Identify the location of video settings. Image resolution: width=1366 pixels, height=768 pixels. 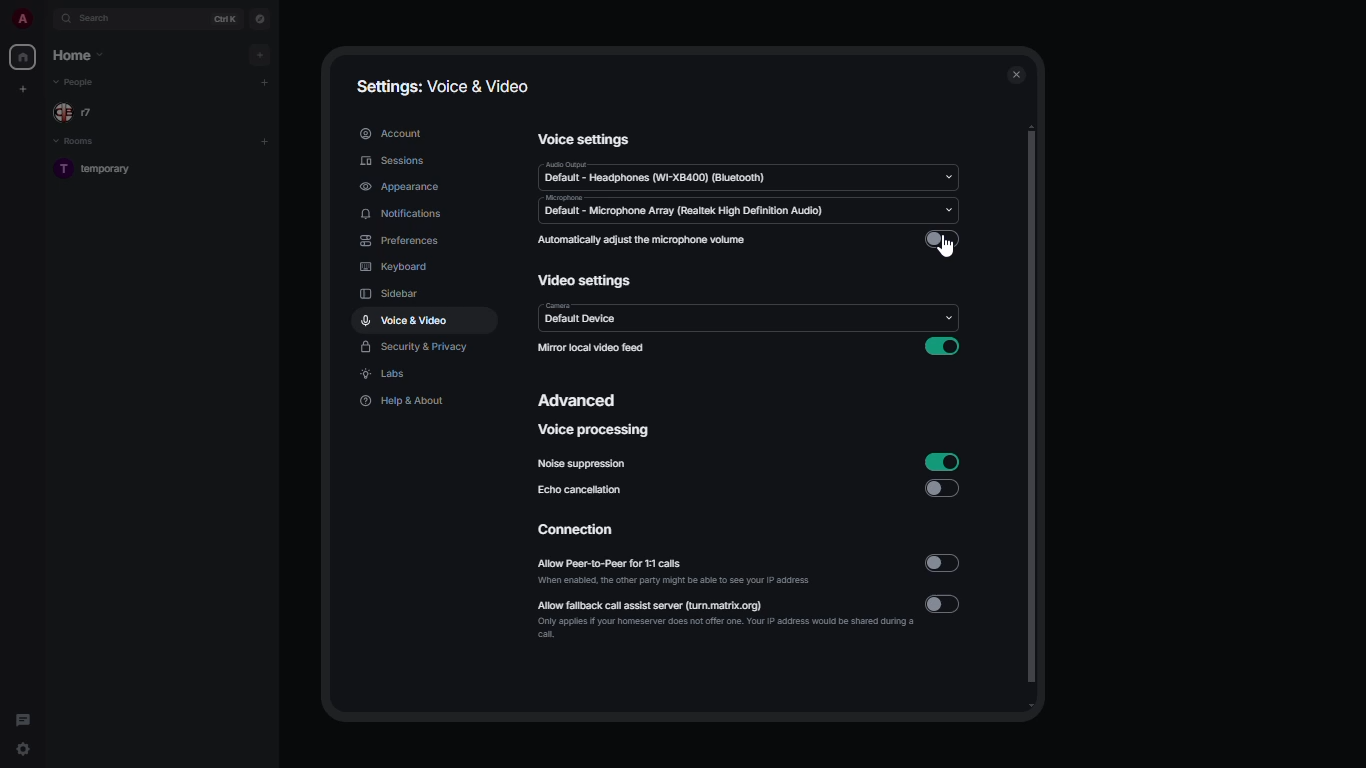
(585, 282).